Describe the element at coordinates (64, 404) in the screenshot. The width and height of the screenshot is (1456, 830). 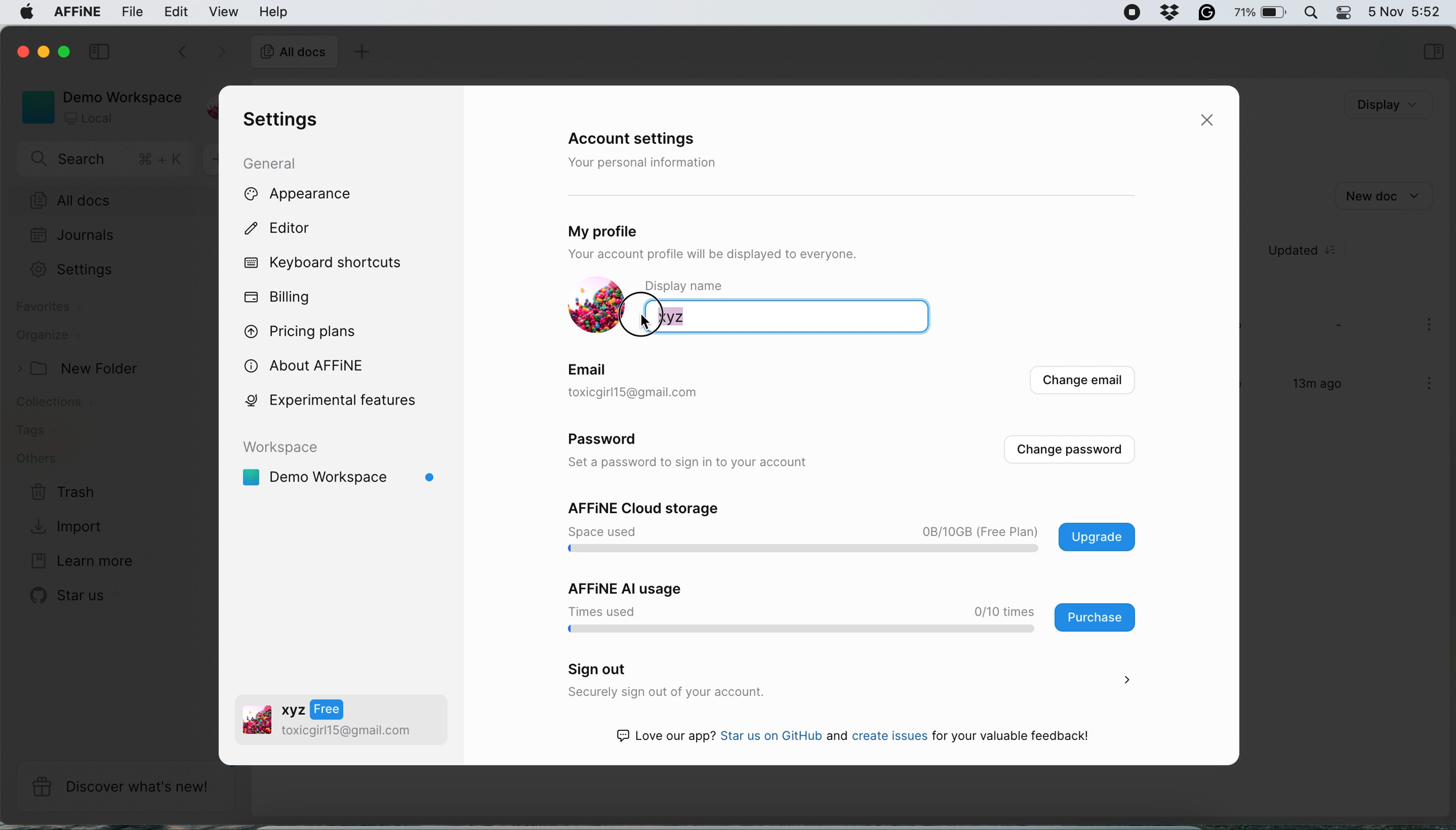
I see `collections` at that location.